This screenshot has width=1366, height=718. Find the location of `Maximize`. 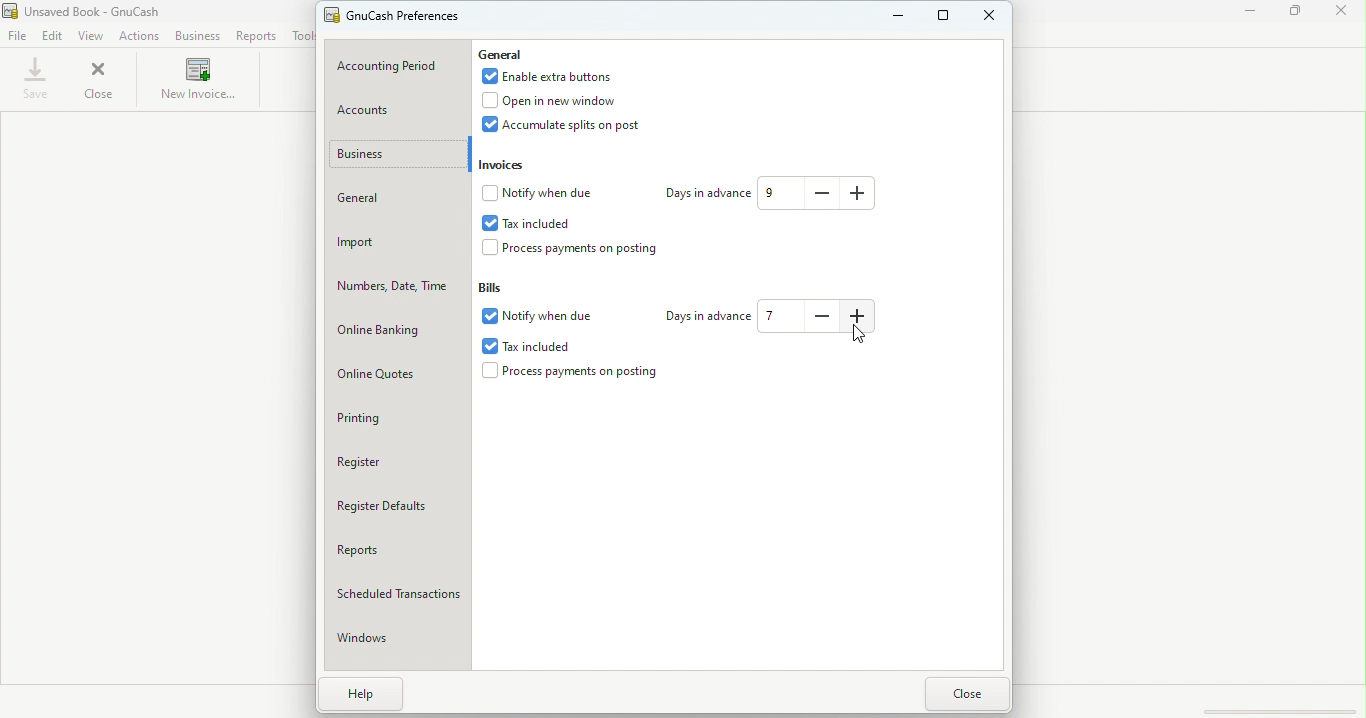

Maximize is located at coordinates (1297, 14).